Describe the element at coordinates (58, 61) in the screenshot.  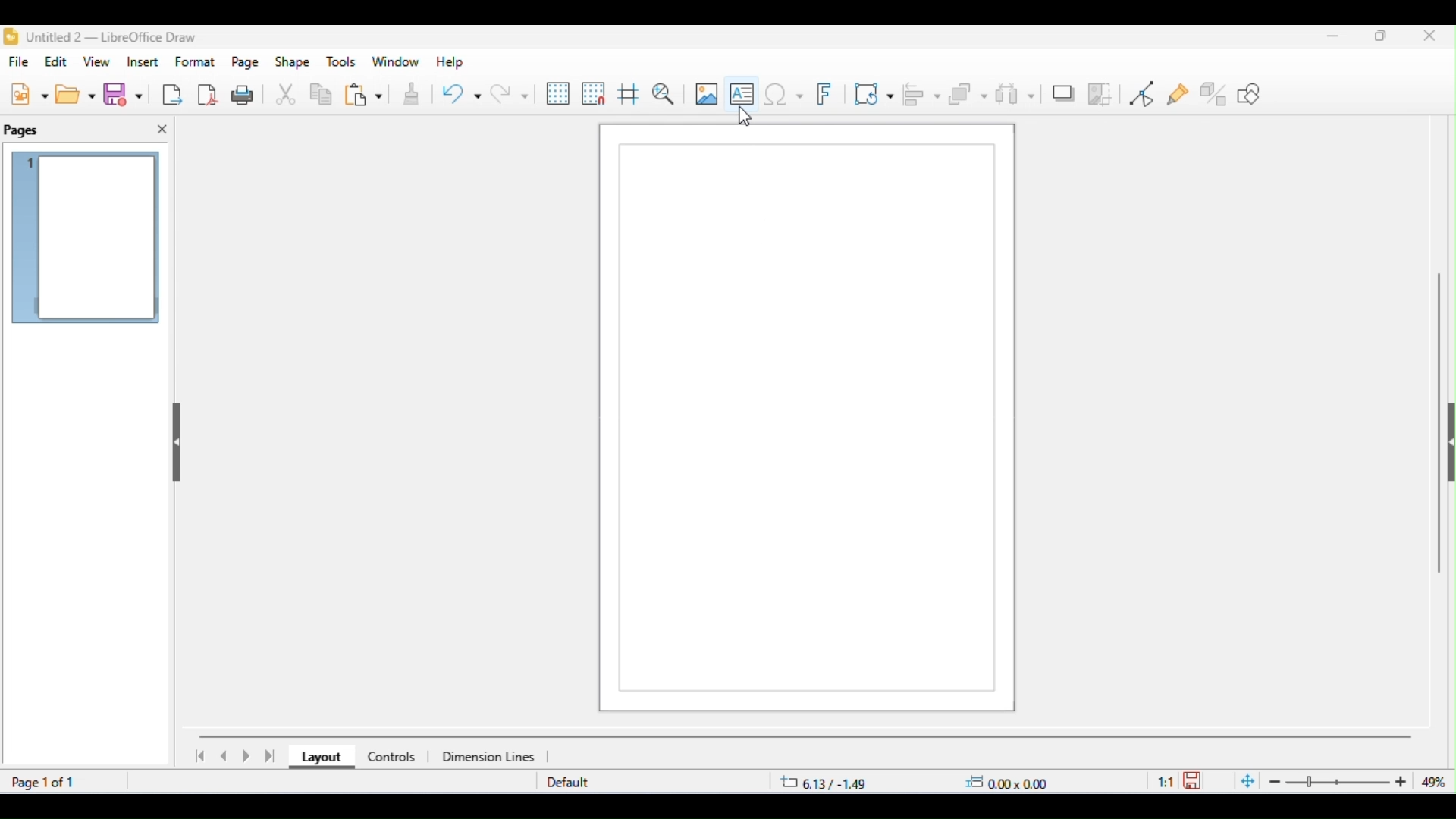
I see `edit` at that location.